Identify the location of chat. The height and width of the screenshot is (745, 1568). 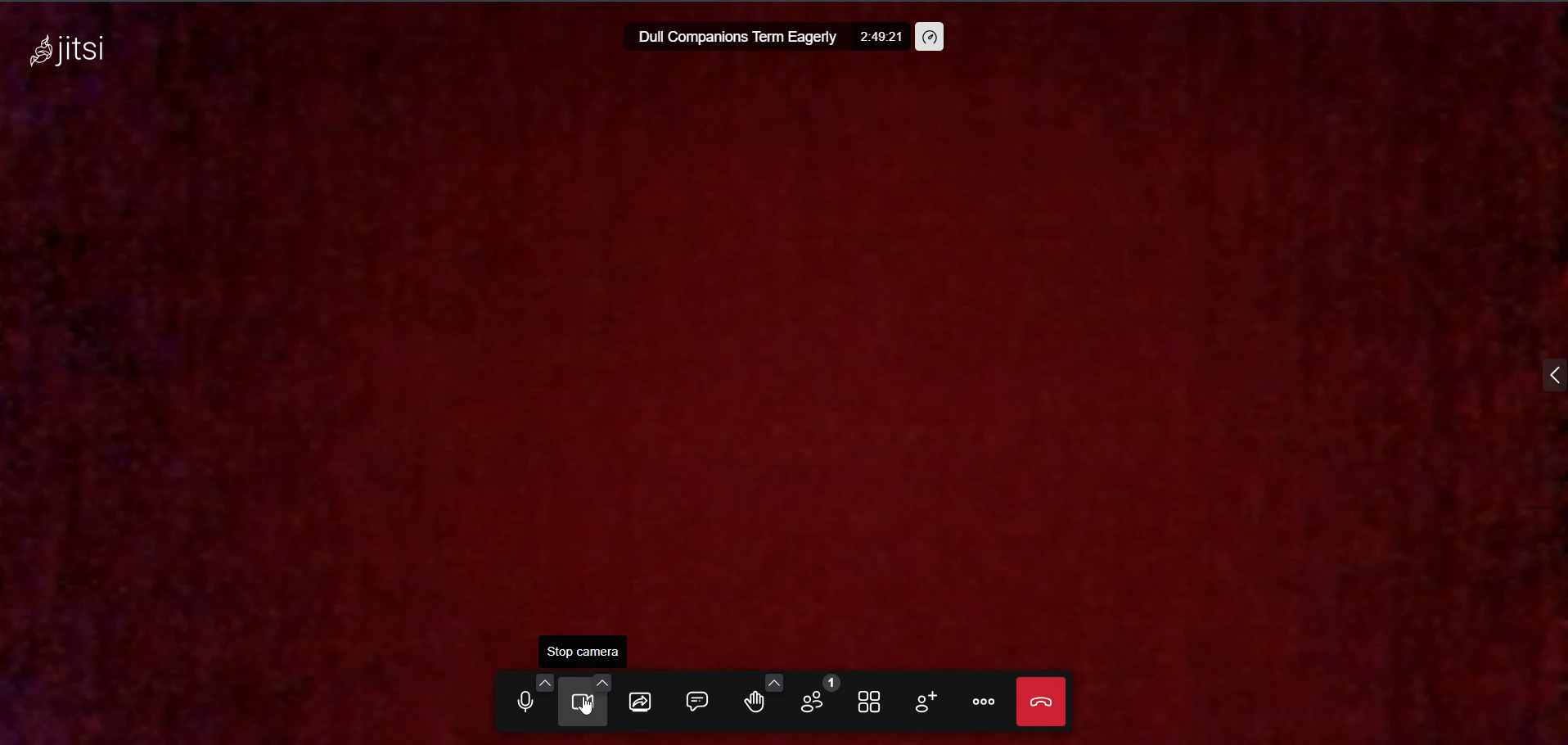
(693, 698).